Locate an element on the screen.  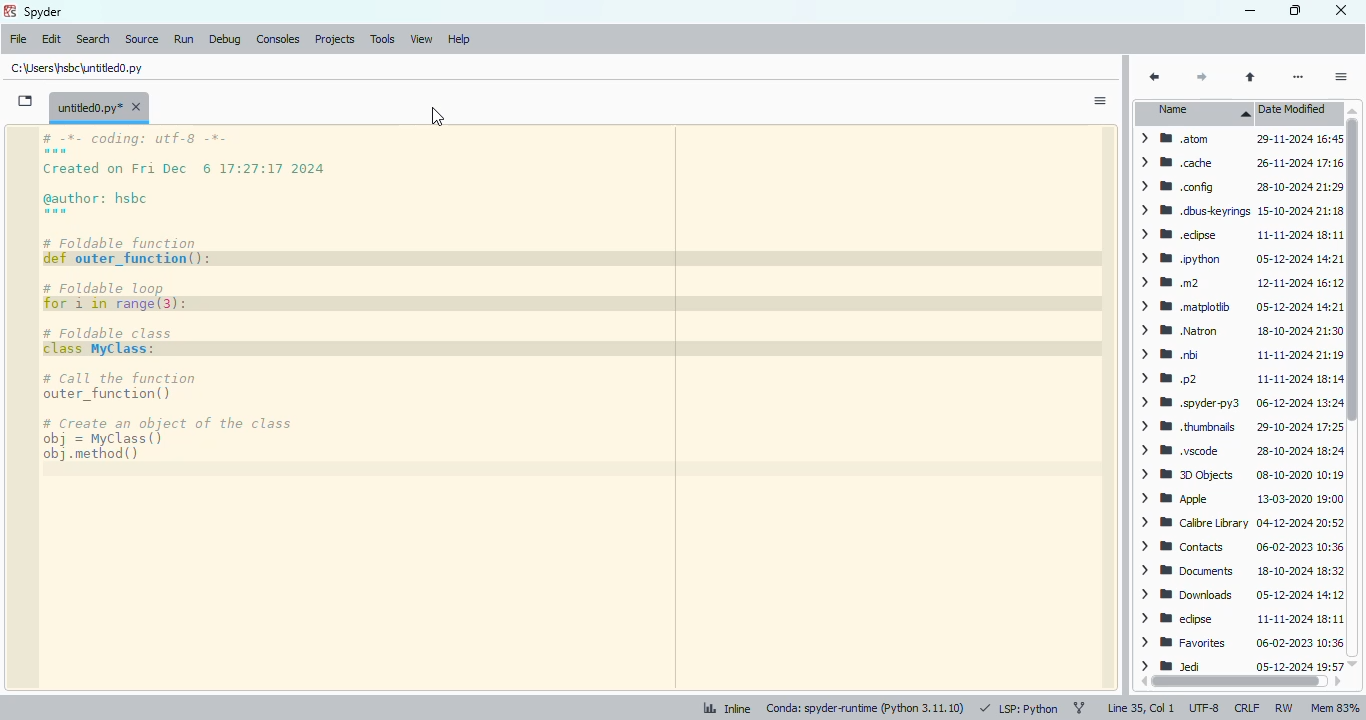
maximize is located at coordinates (1297, 10).